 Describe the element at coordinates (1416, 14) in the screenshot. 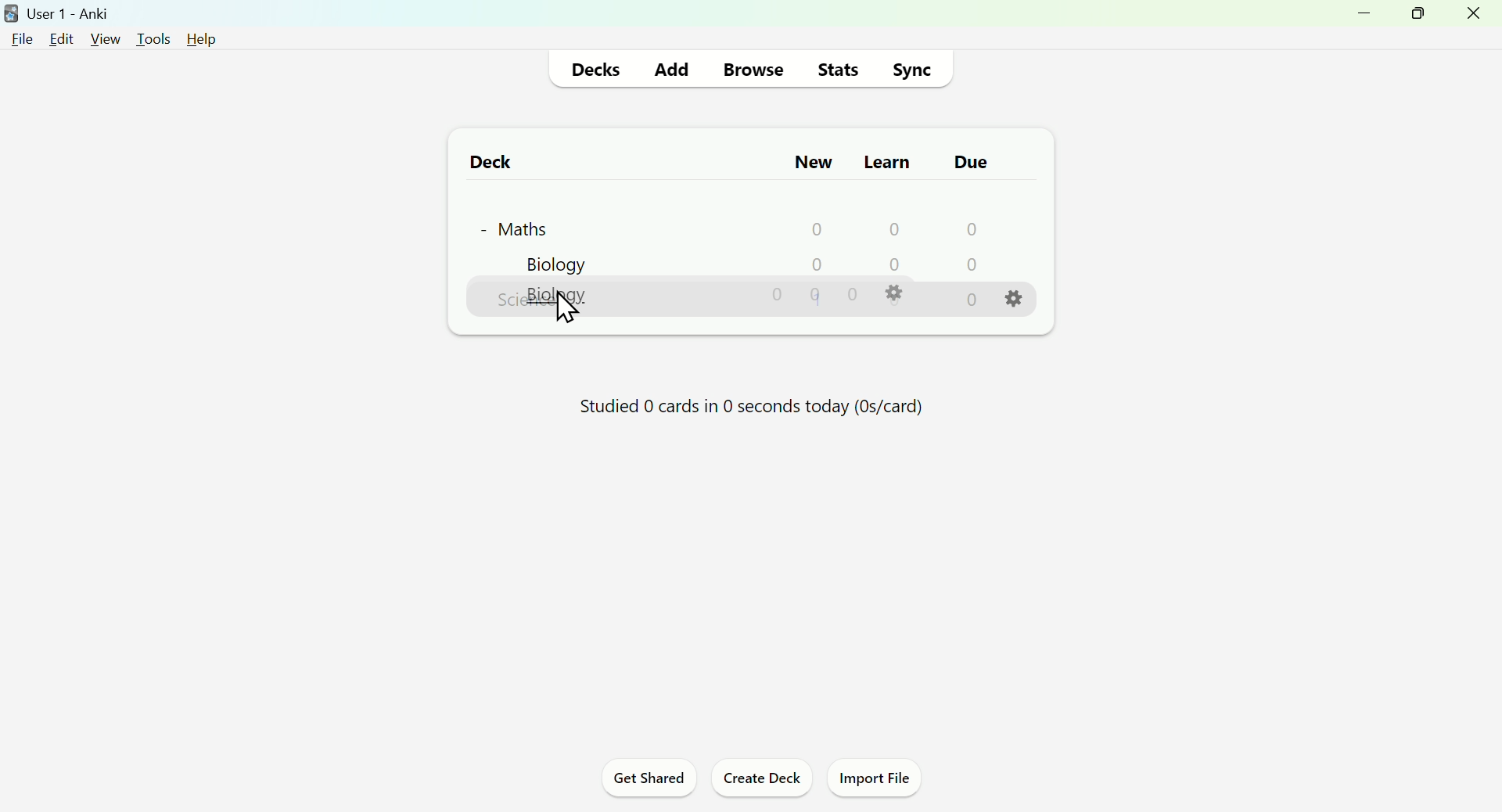

I see `maximize` at that location.